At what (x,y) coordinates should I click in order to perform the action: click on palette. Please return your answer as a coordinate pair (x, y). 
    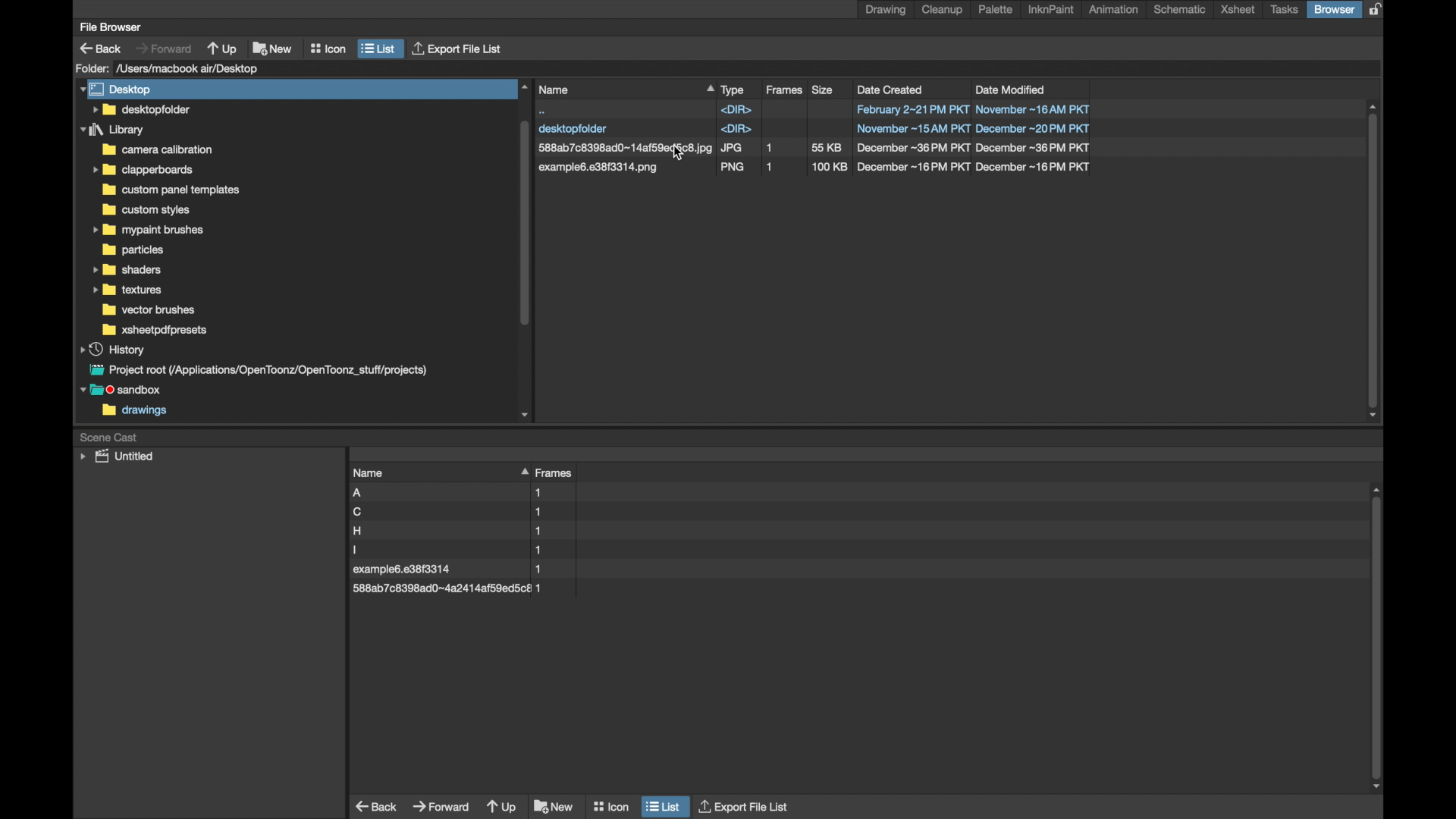
    Looking at the image, I should click on (996, 9).